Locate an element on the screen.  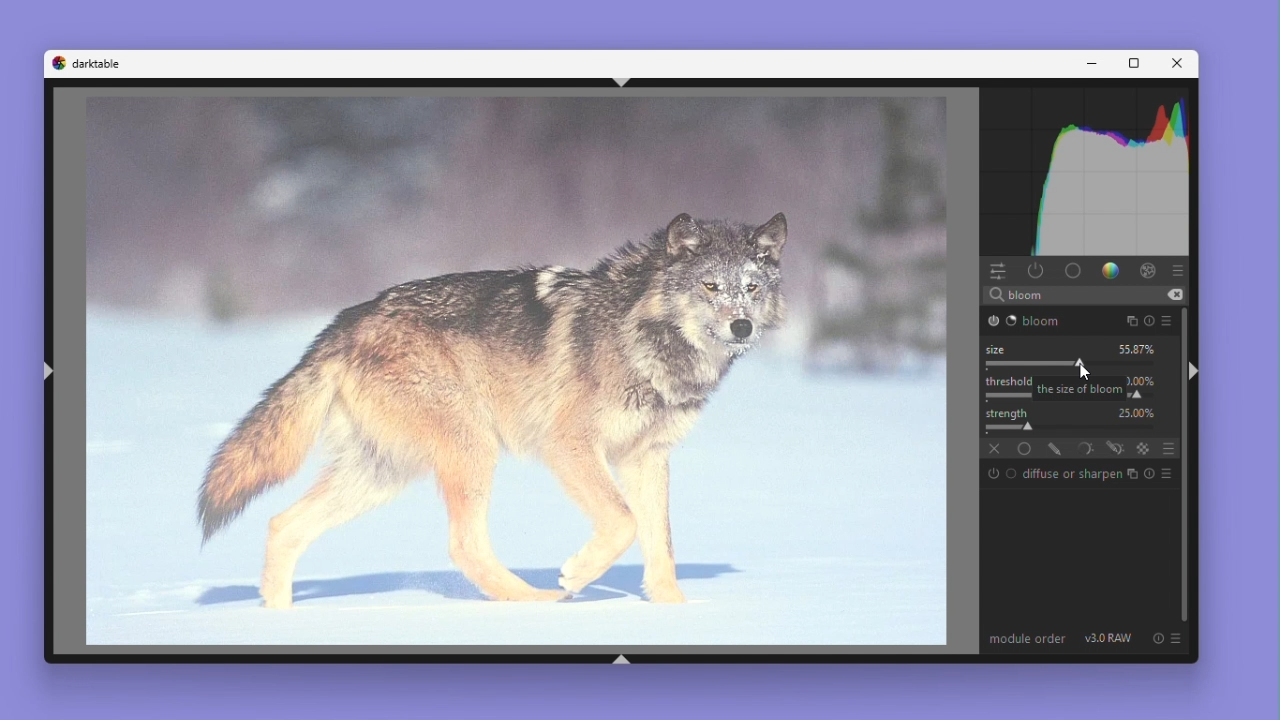
Maximize is located at coordinates (1130, 64).